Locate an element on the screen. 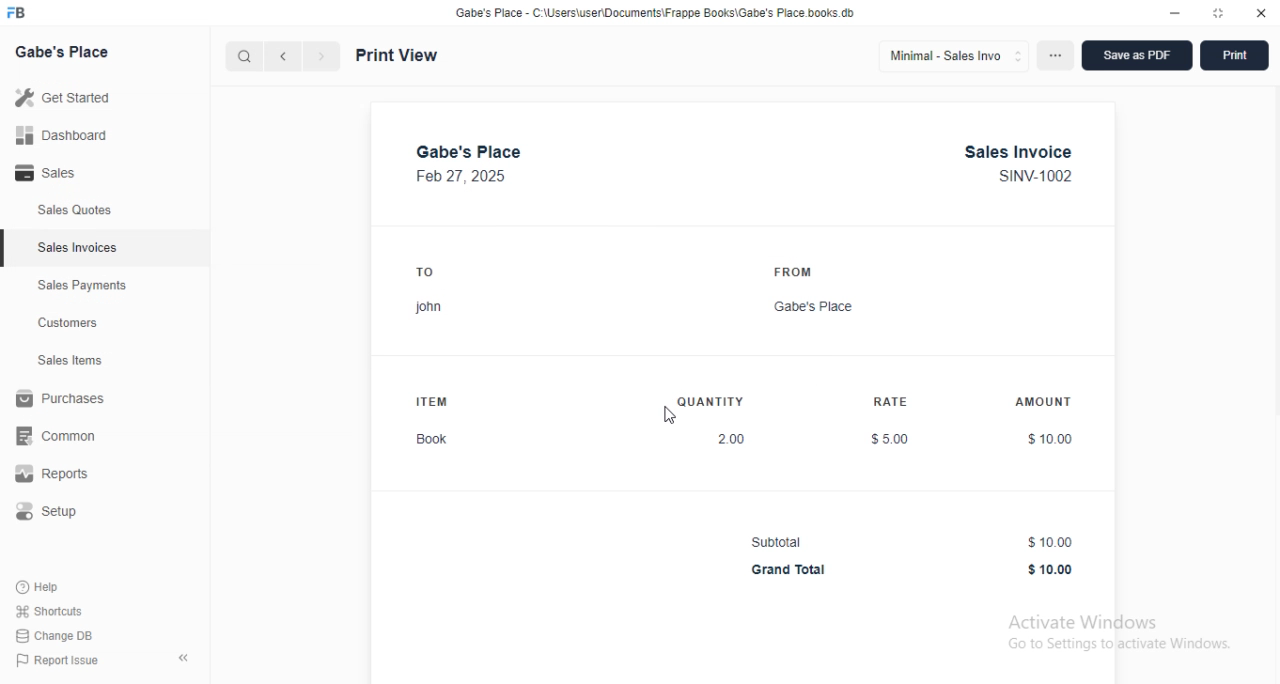 The image size is (1280, 684). reports is located at coordinates (51, 474).